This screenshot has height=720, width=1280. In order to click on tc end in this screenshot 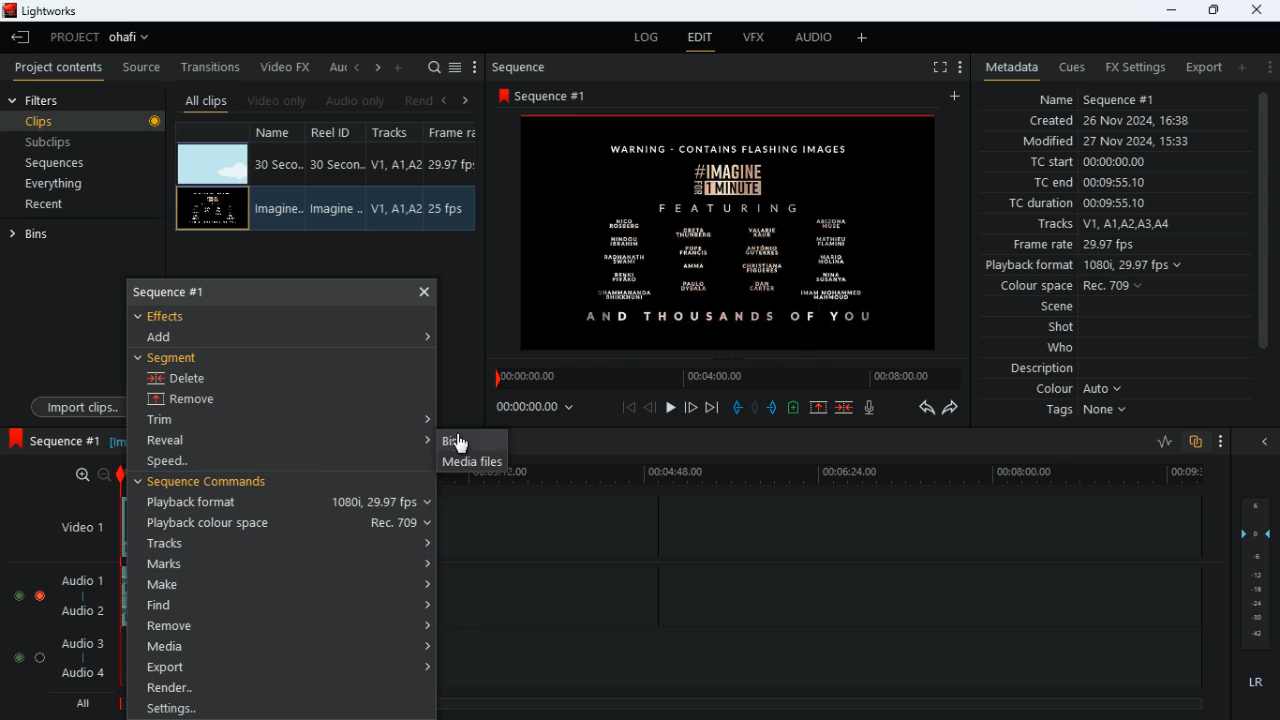, I will do `click(1096, 183)`.